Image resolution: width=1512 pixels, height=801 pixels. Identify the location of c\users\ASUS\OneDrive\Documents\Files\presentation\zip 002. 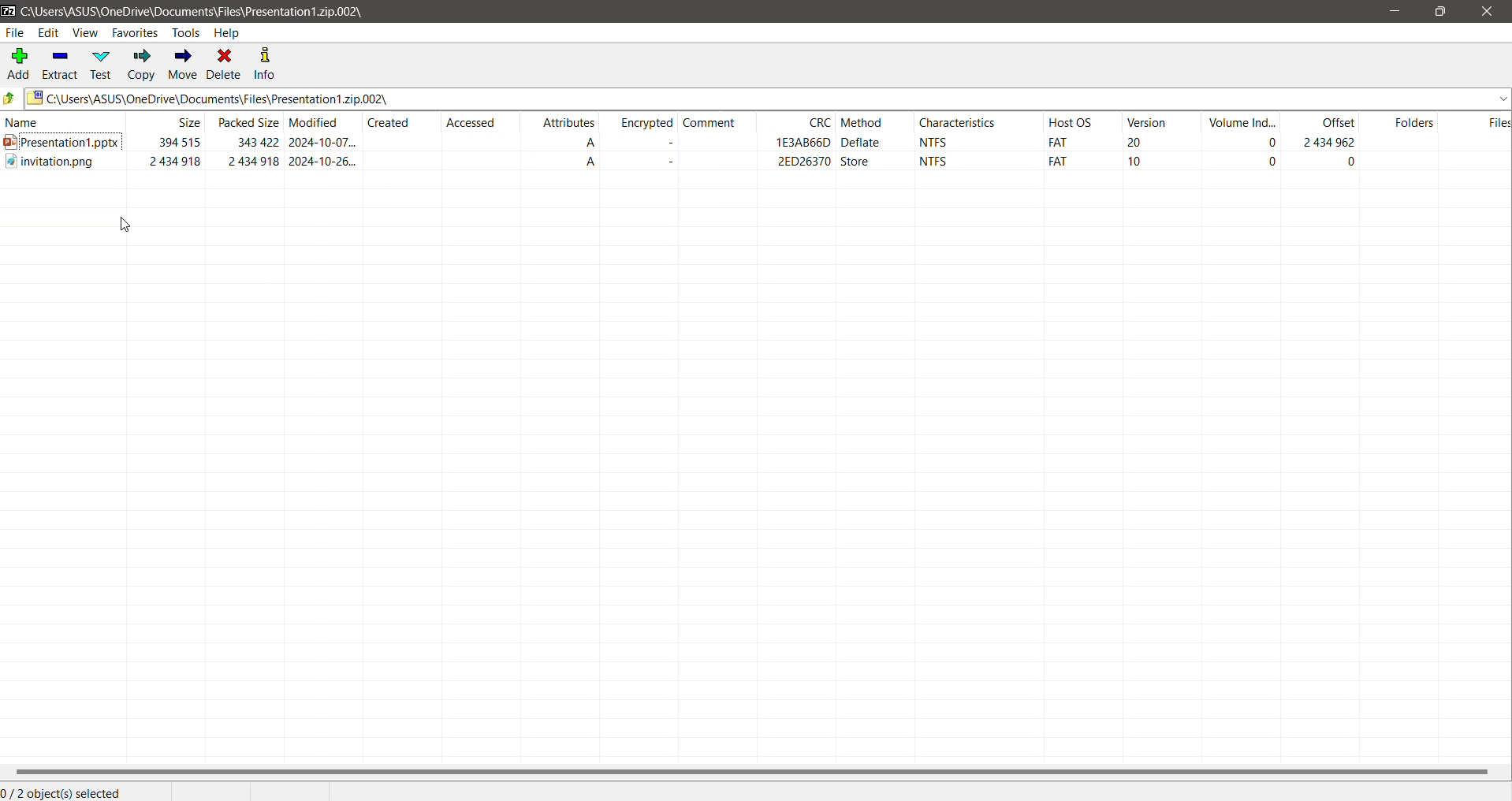
(193, 10).